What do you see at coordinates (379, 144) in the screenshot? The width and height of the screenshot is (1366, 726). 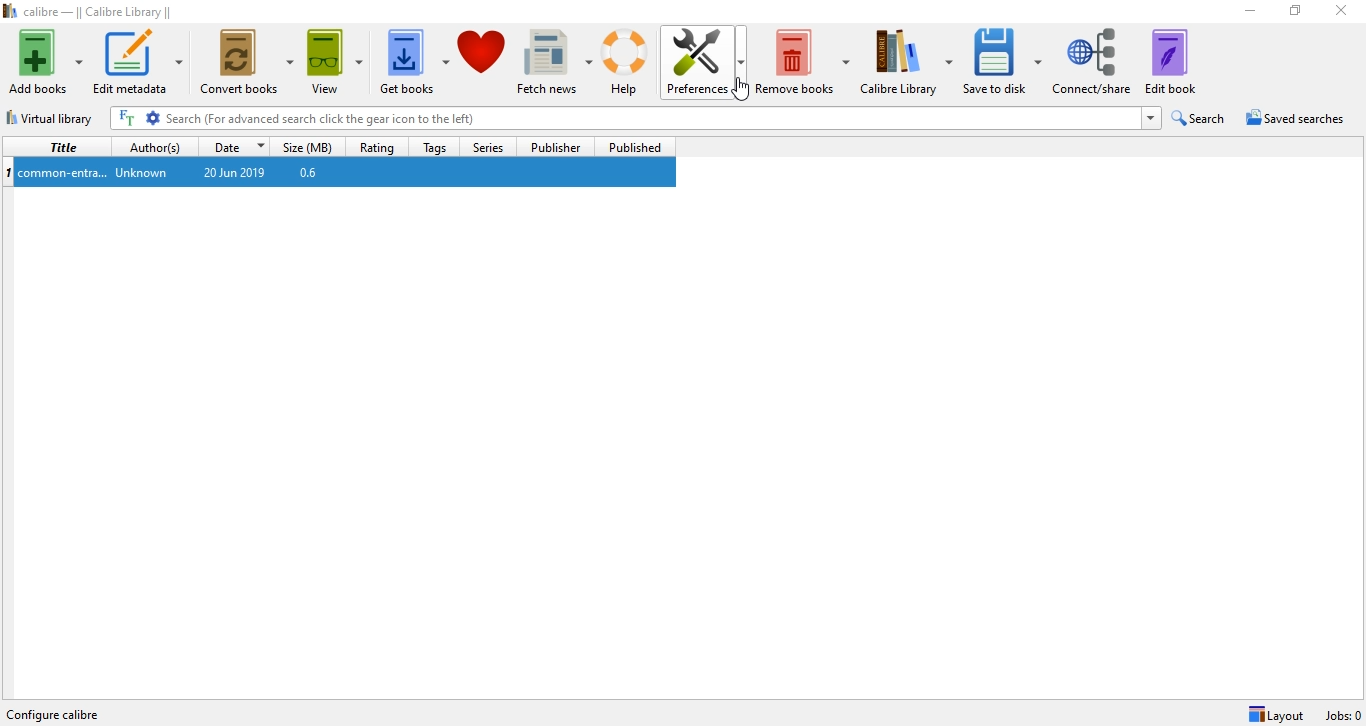 I see `Rating` at bounding box center [379, 144].